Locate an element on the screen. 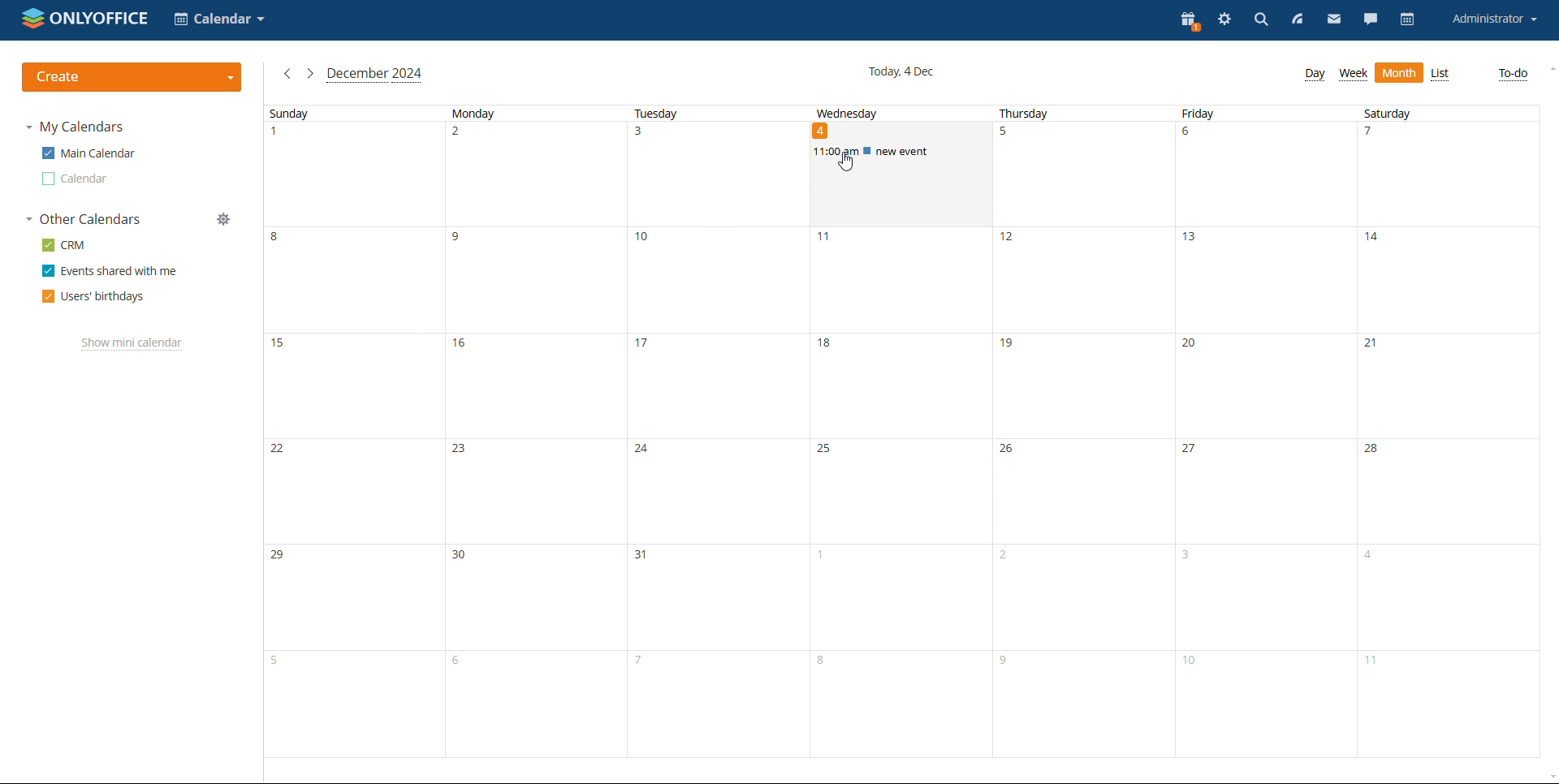 Image resolution: width=1559 pixels, height=784 pixels. wednesday is located at coordinates (896, 464).